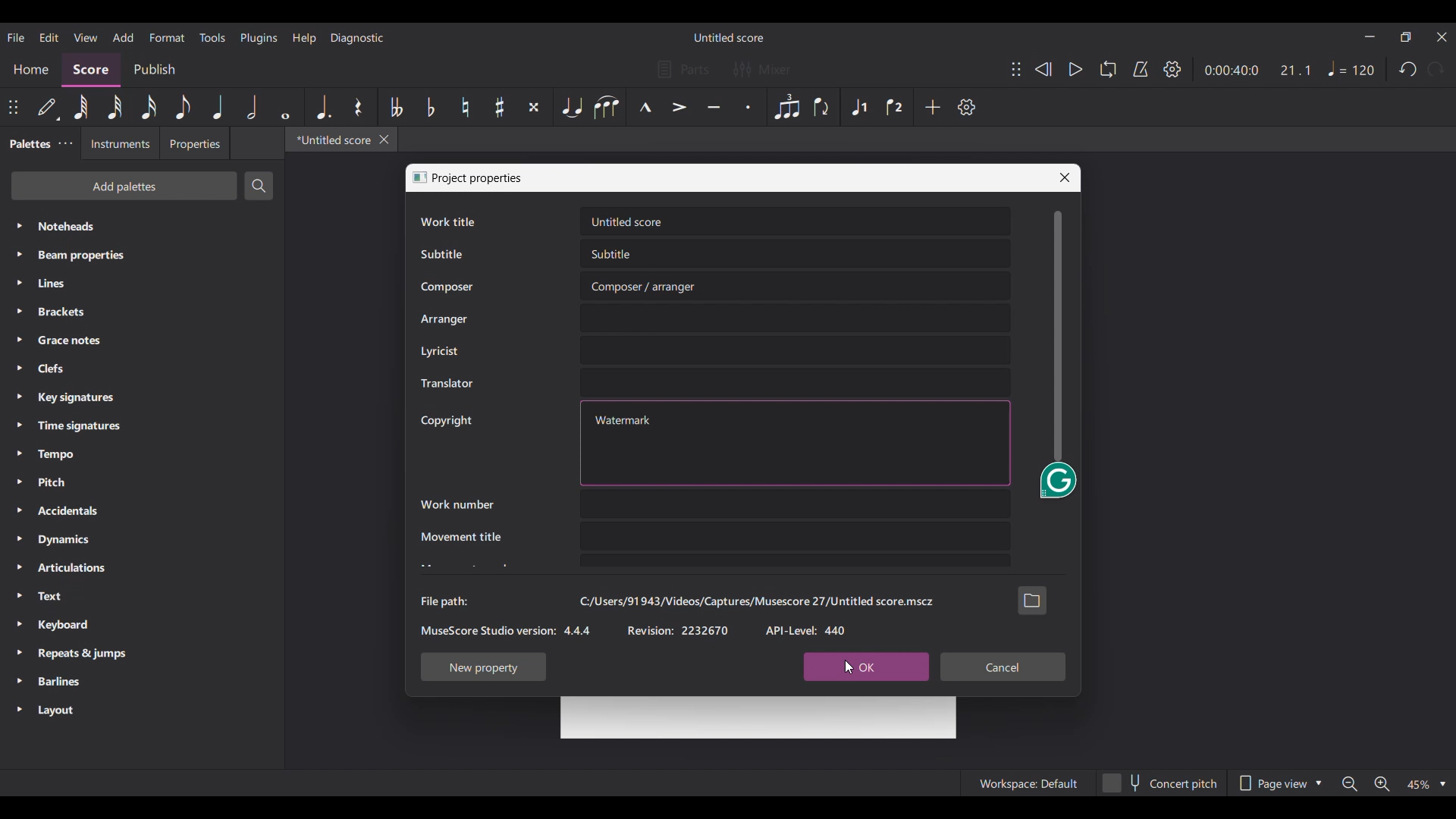 The image size is (1456, 819). Describe the element at coordinates (259, 186) in the screenshot. I see `Search` at that location.